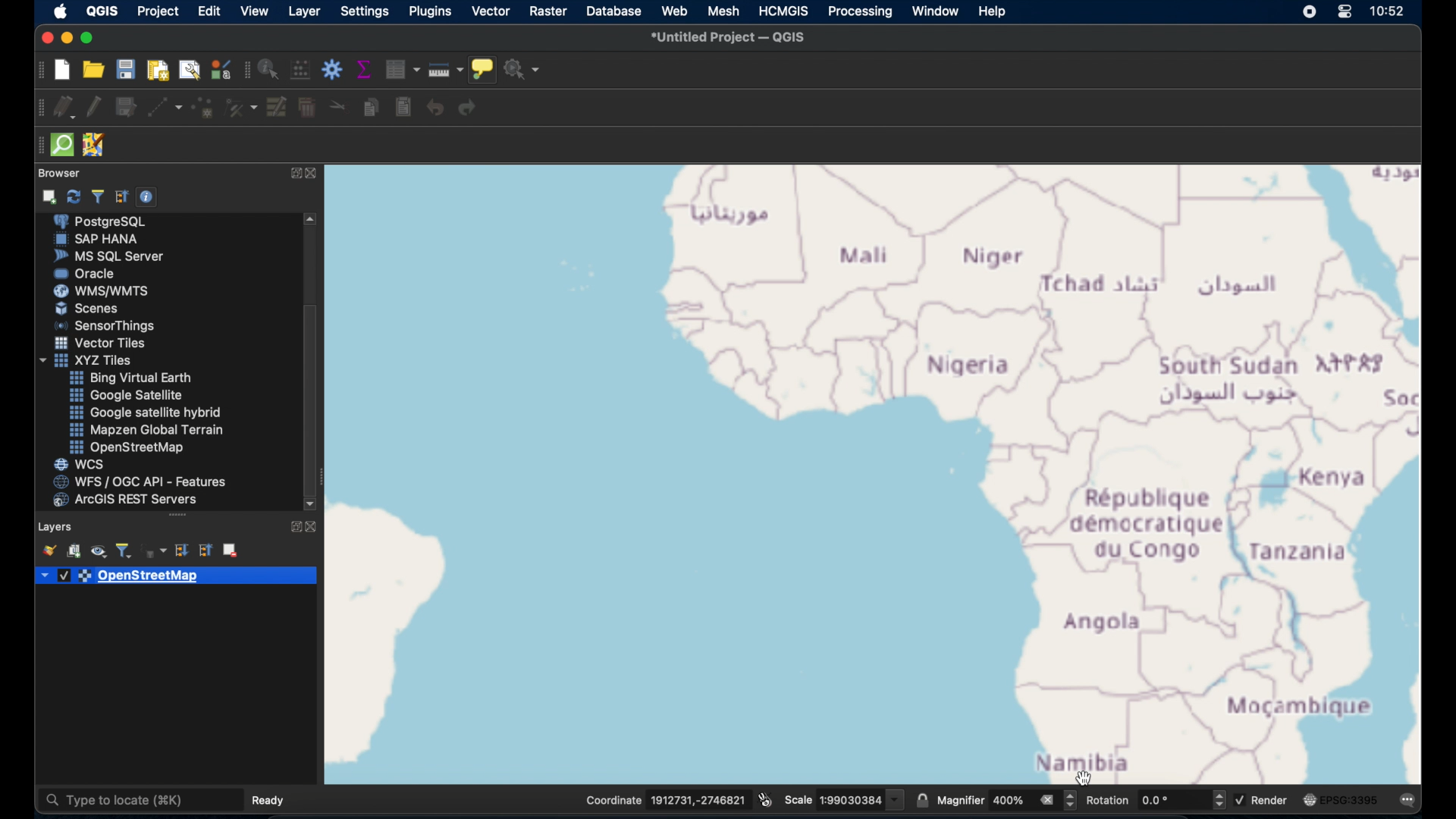 The height and width of the screenshot is (819, 1456). I want to click on untitled project - QGIS, so click(730, 36).